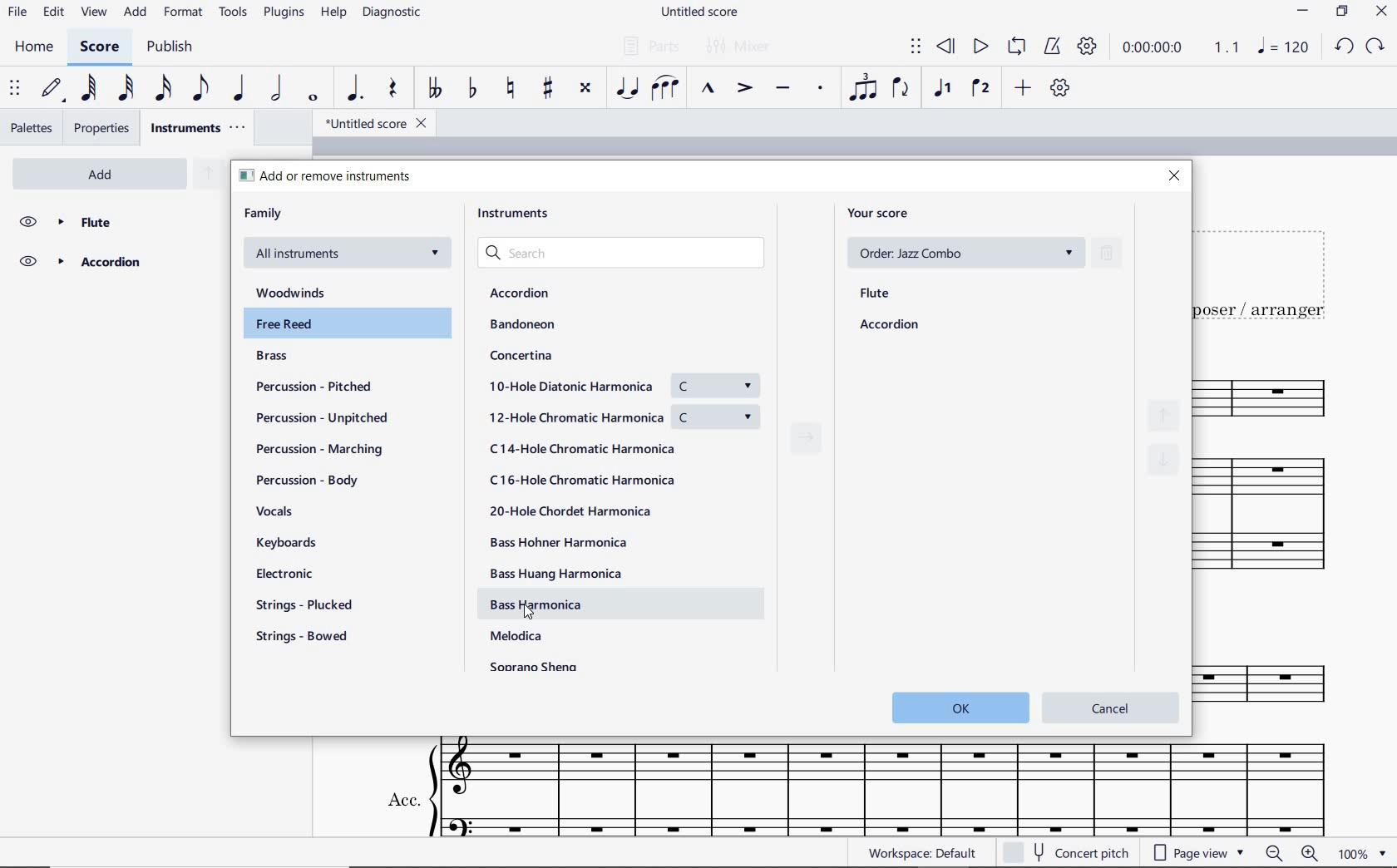 The width and height of the screenshot is (1397, 868). I want to click on strings - bowel, so click(304, 638).